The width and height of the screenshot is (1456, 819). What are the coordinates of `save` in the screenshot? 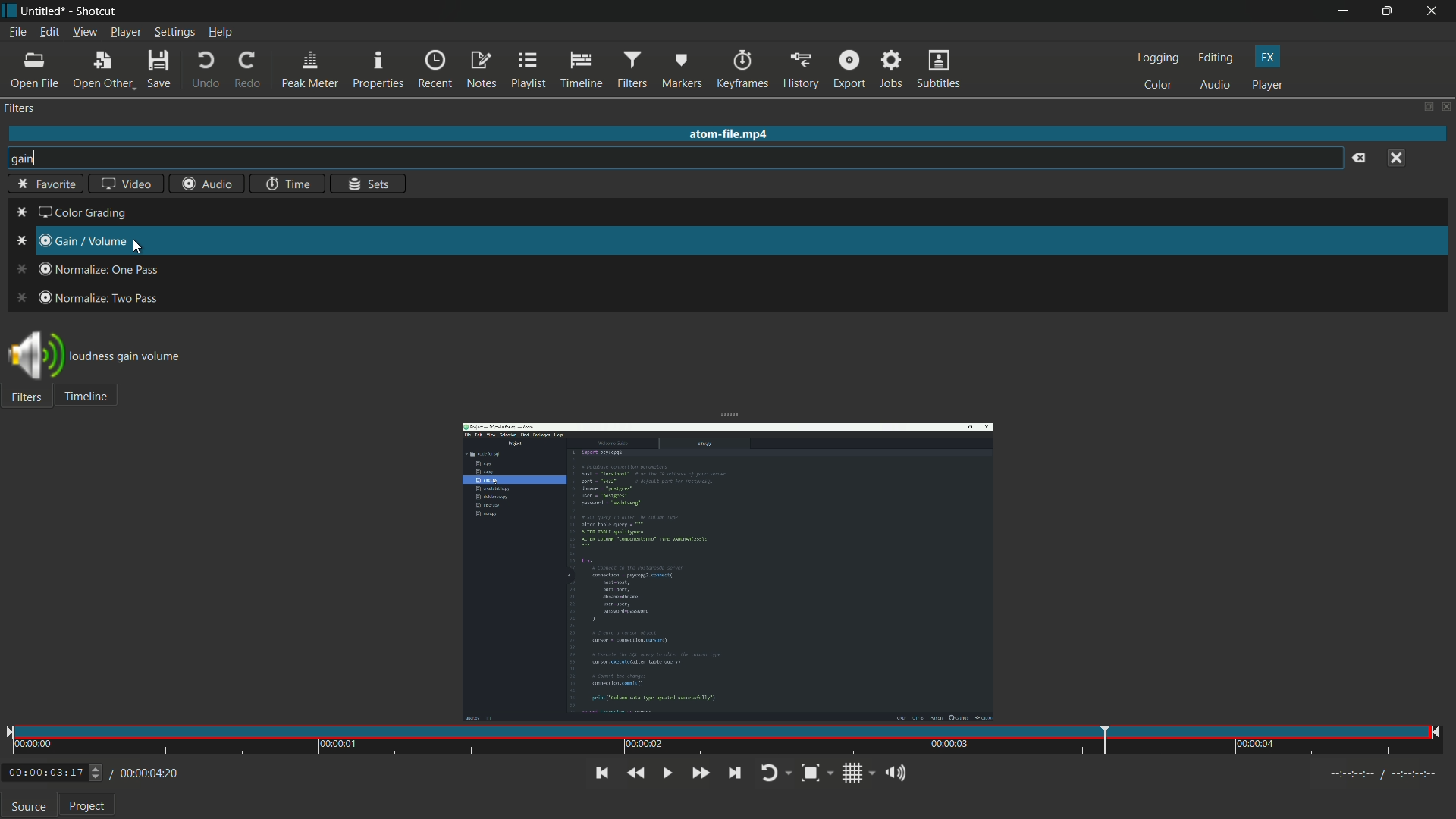 It's located at (158, 71).